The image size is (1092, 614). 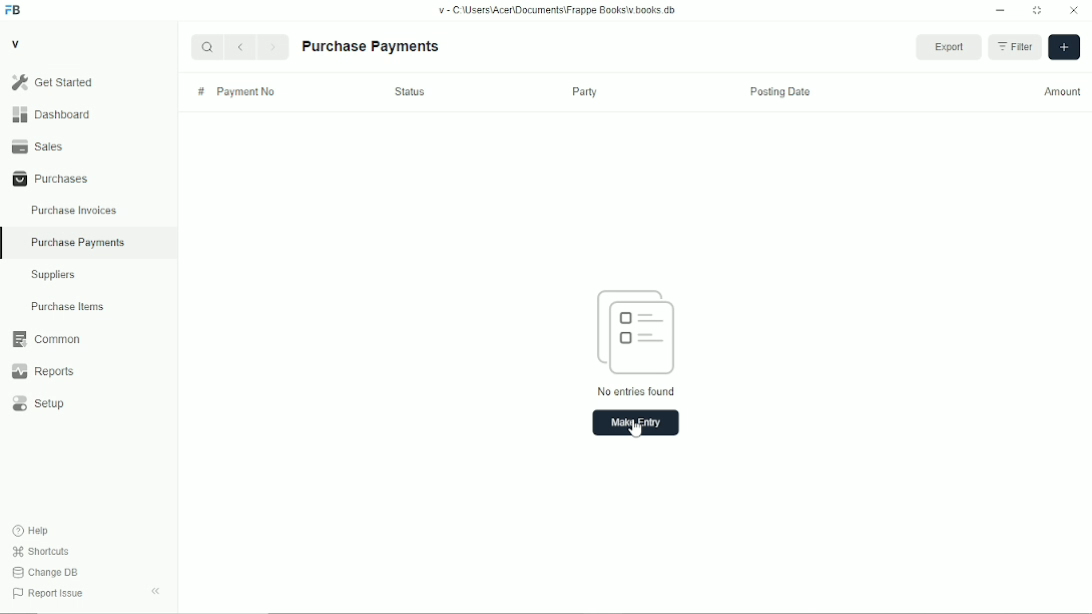 What do you see at coordinates (636, 332) in the screenshot?
I see `Articles icon` at bounding box center [636, 332].